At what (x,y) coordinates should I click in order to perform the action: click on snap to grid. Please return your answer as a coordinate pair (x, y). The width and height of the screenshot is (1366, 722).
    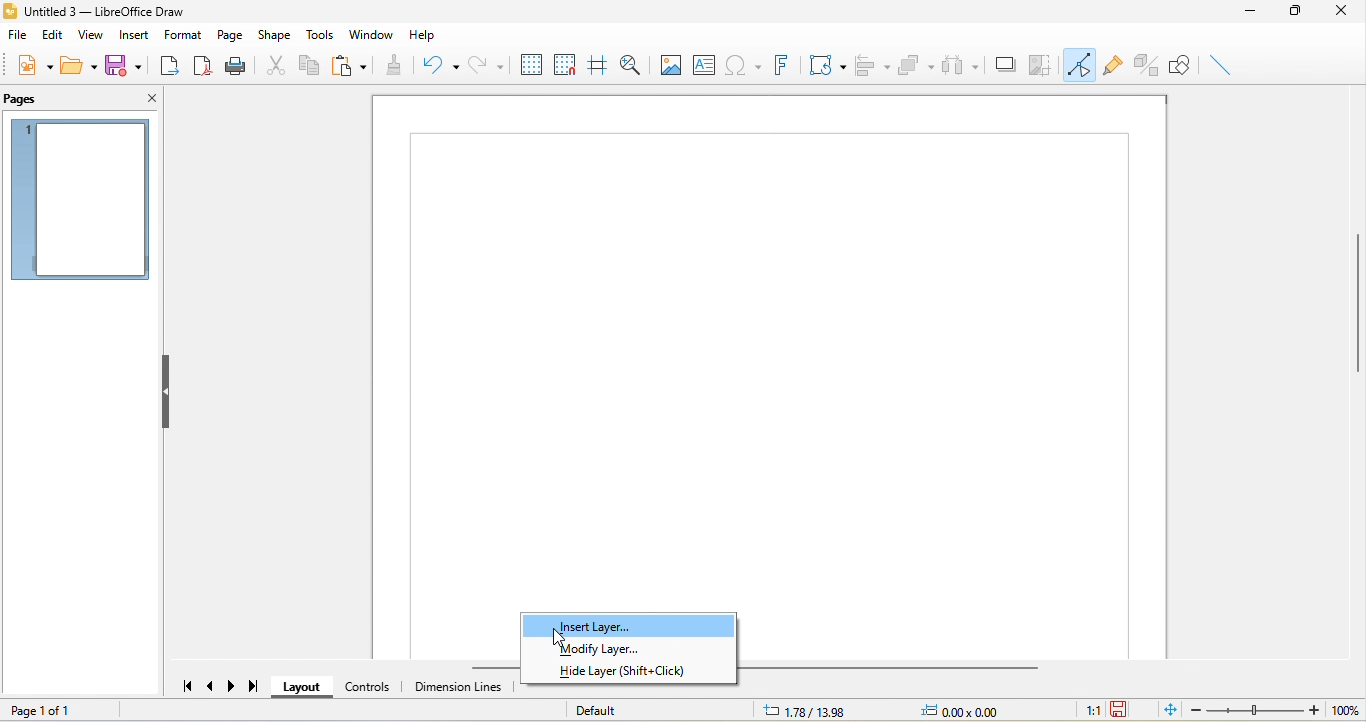
    Looking at the image, I should click on (565, 64).